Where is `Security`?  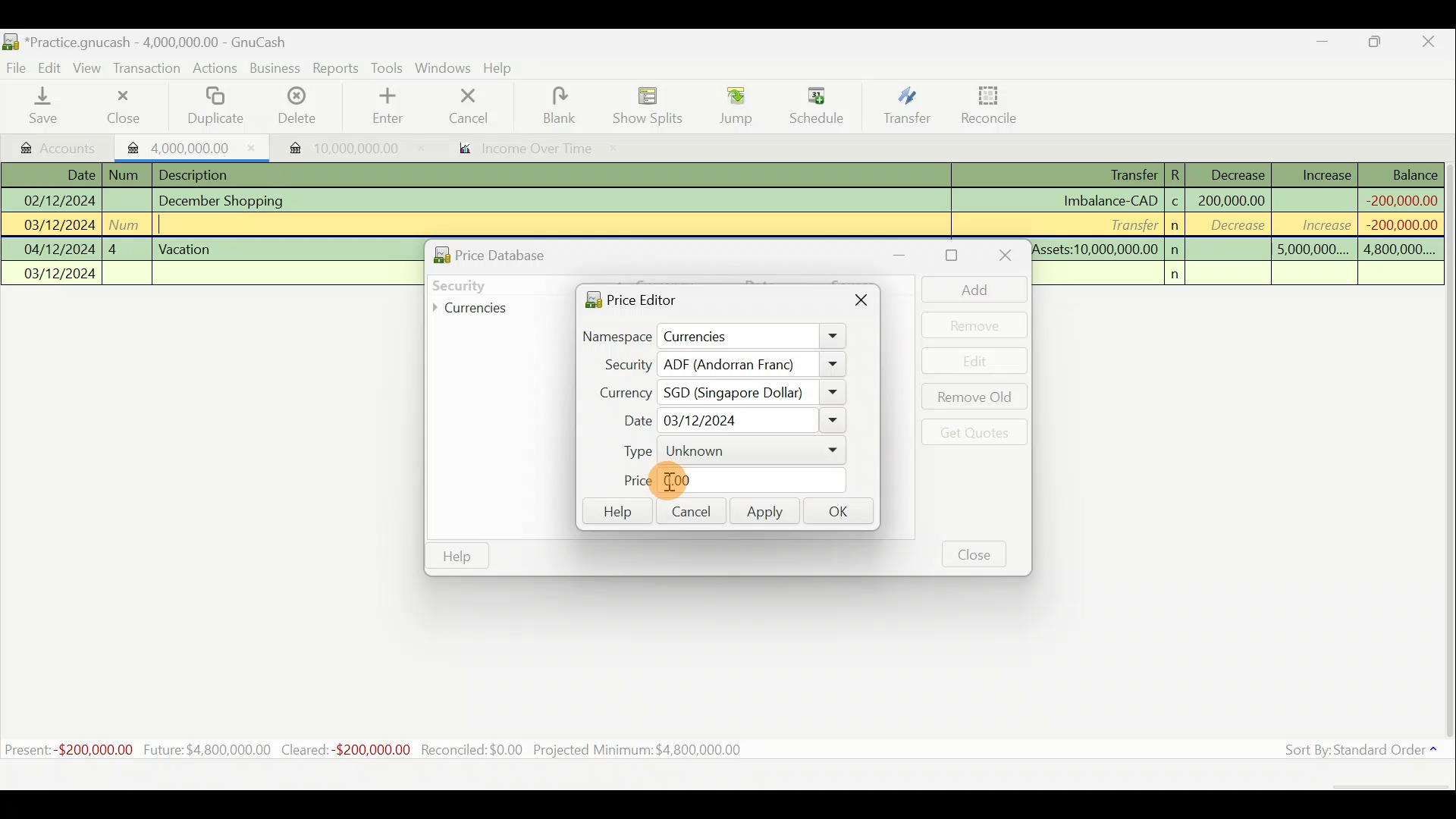
Security is located at coordinates (620, 364).